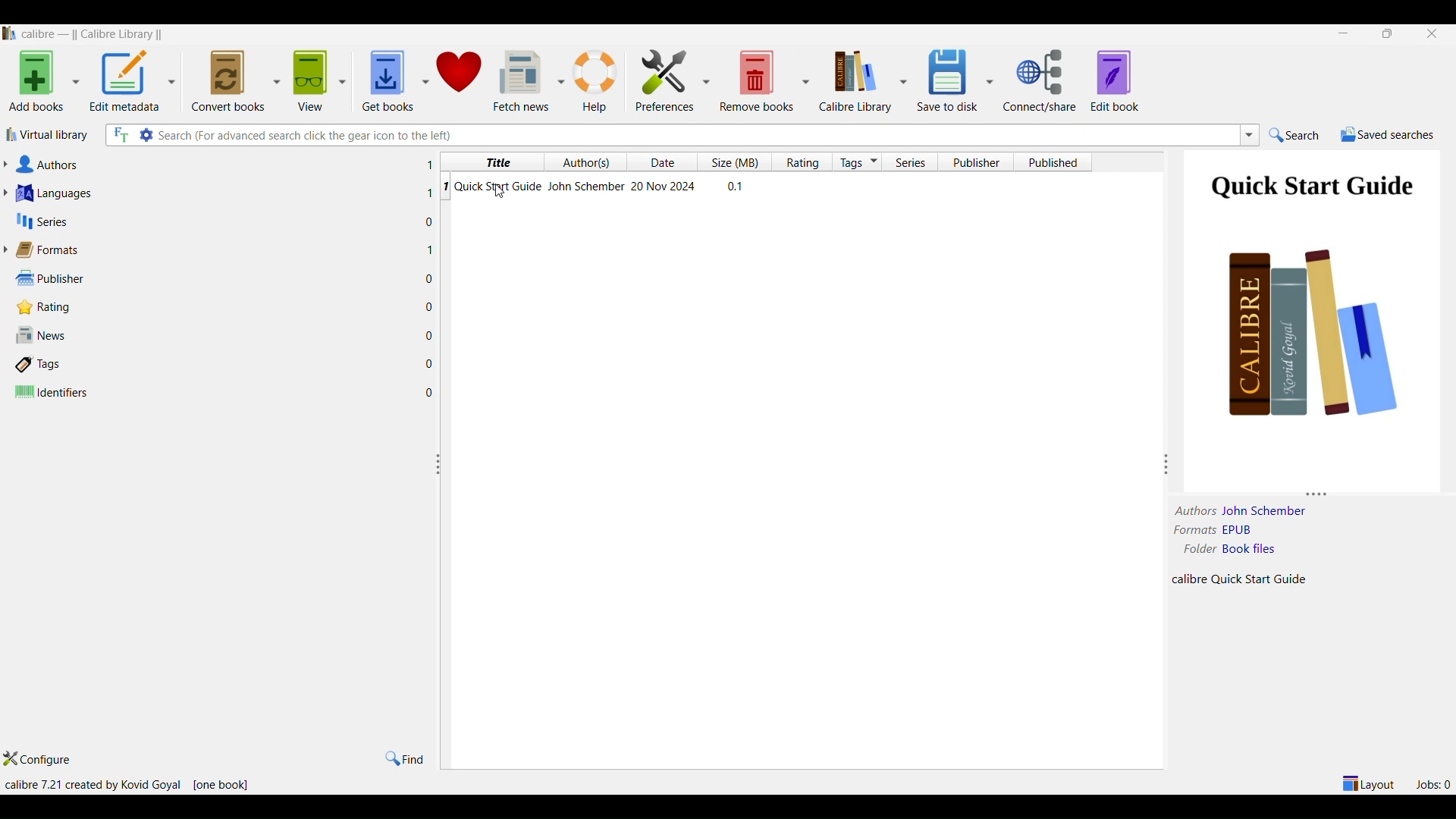 This screenshot has width=1456, height=819. Describe the element at coordinates (1391, 35) in the screenshot. I see `maximize` at that location.